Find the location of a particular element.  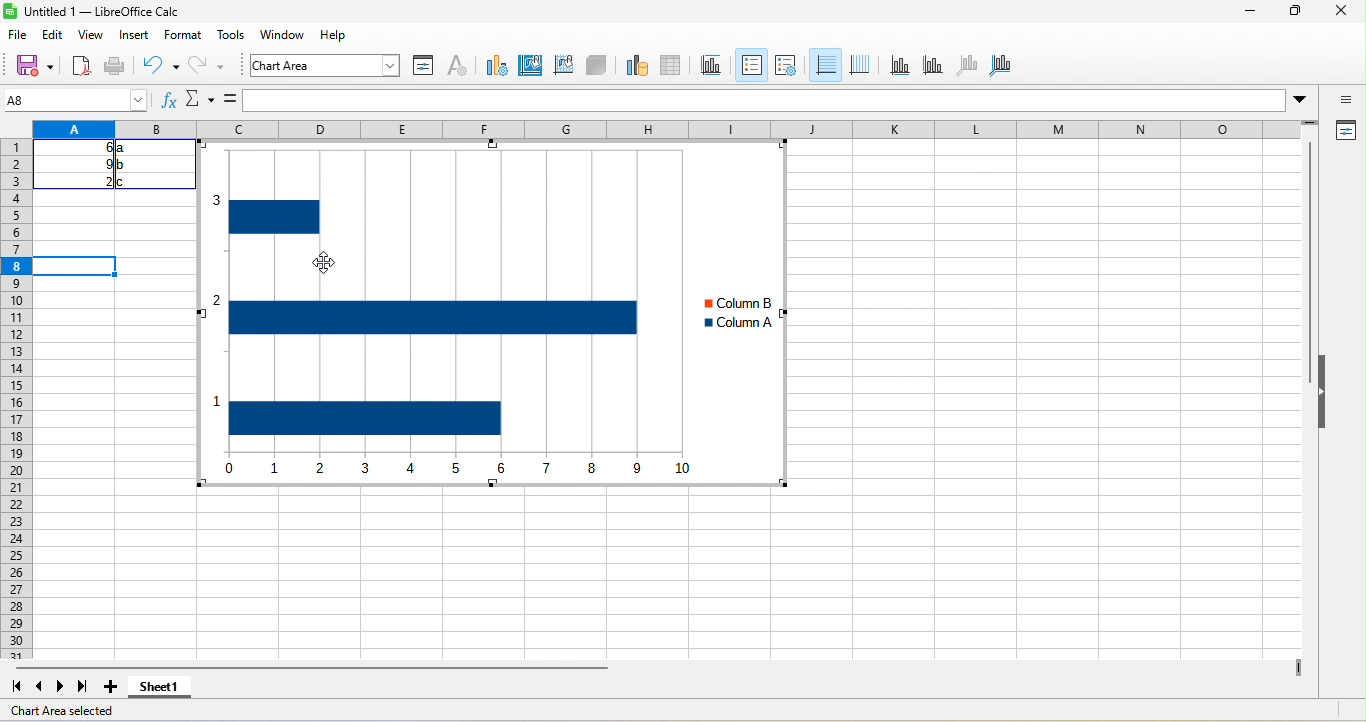

sheet is located at coordinates (277, 32).